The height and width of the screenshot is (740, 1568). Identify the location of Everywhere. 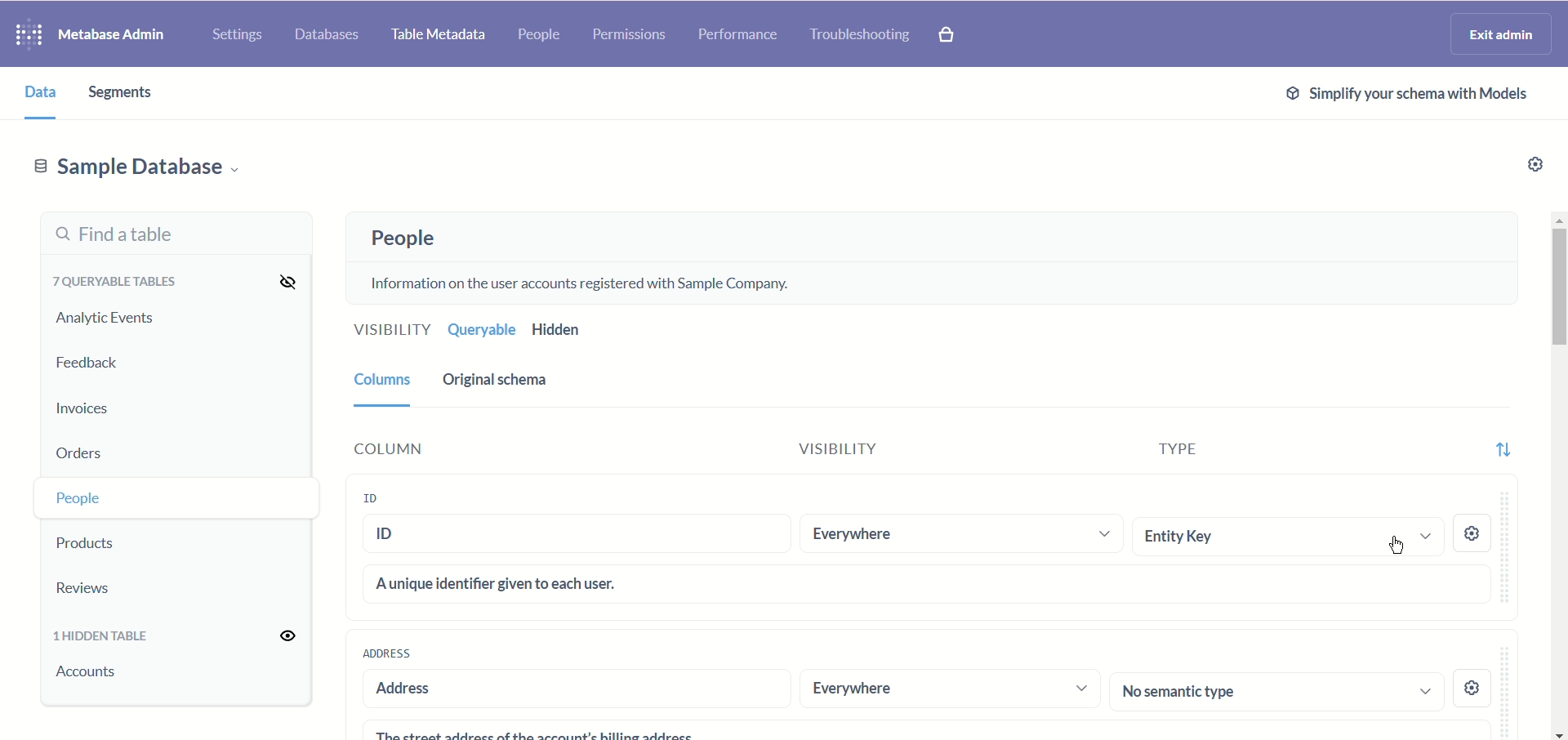
(959, 534).